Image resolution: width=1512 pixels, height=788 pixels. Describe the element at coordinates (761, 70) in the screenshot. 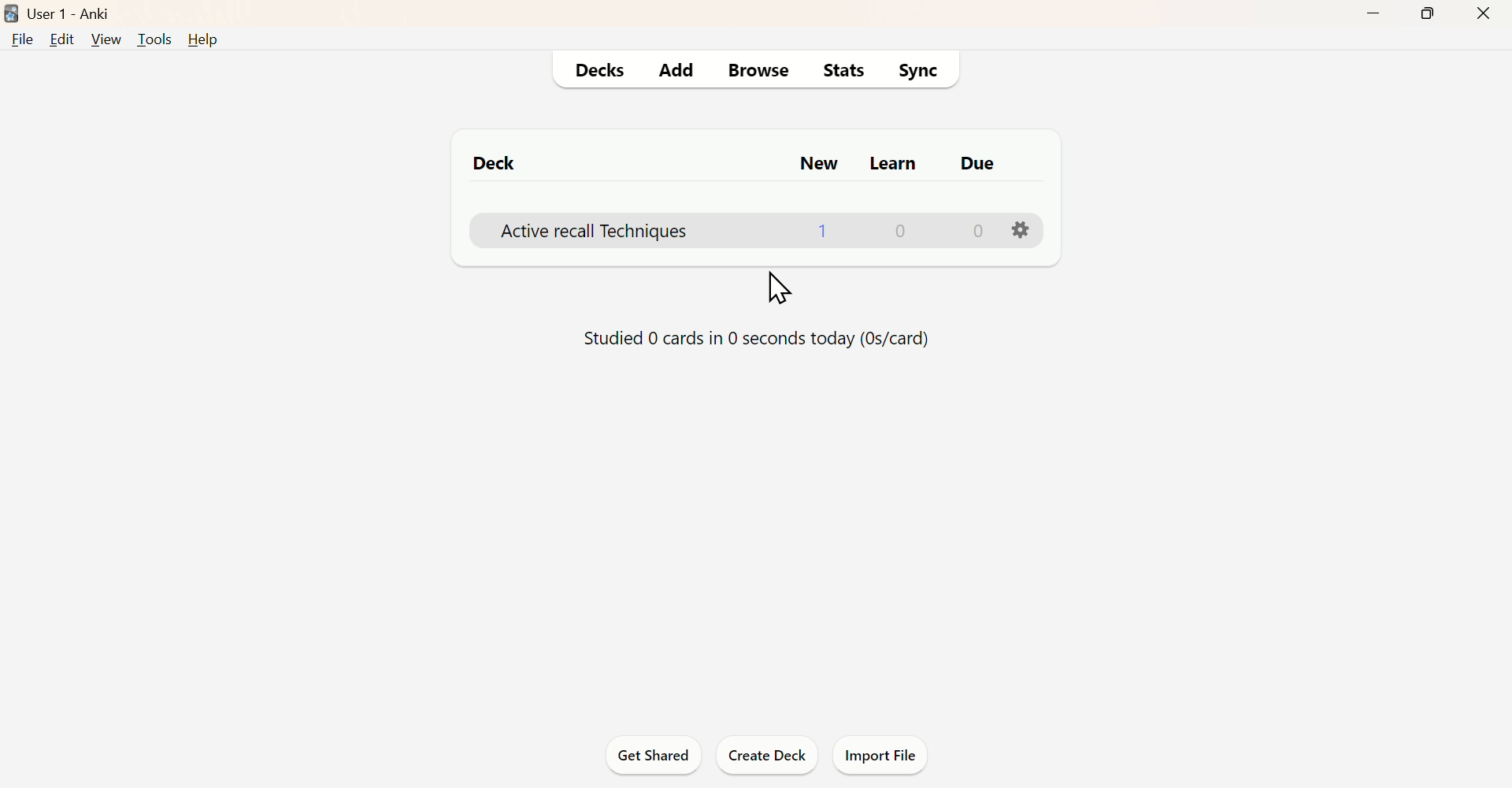

I see `Browse` at that location.